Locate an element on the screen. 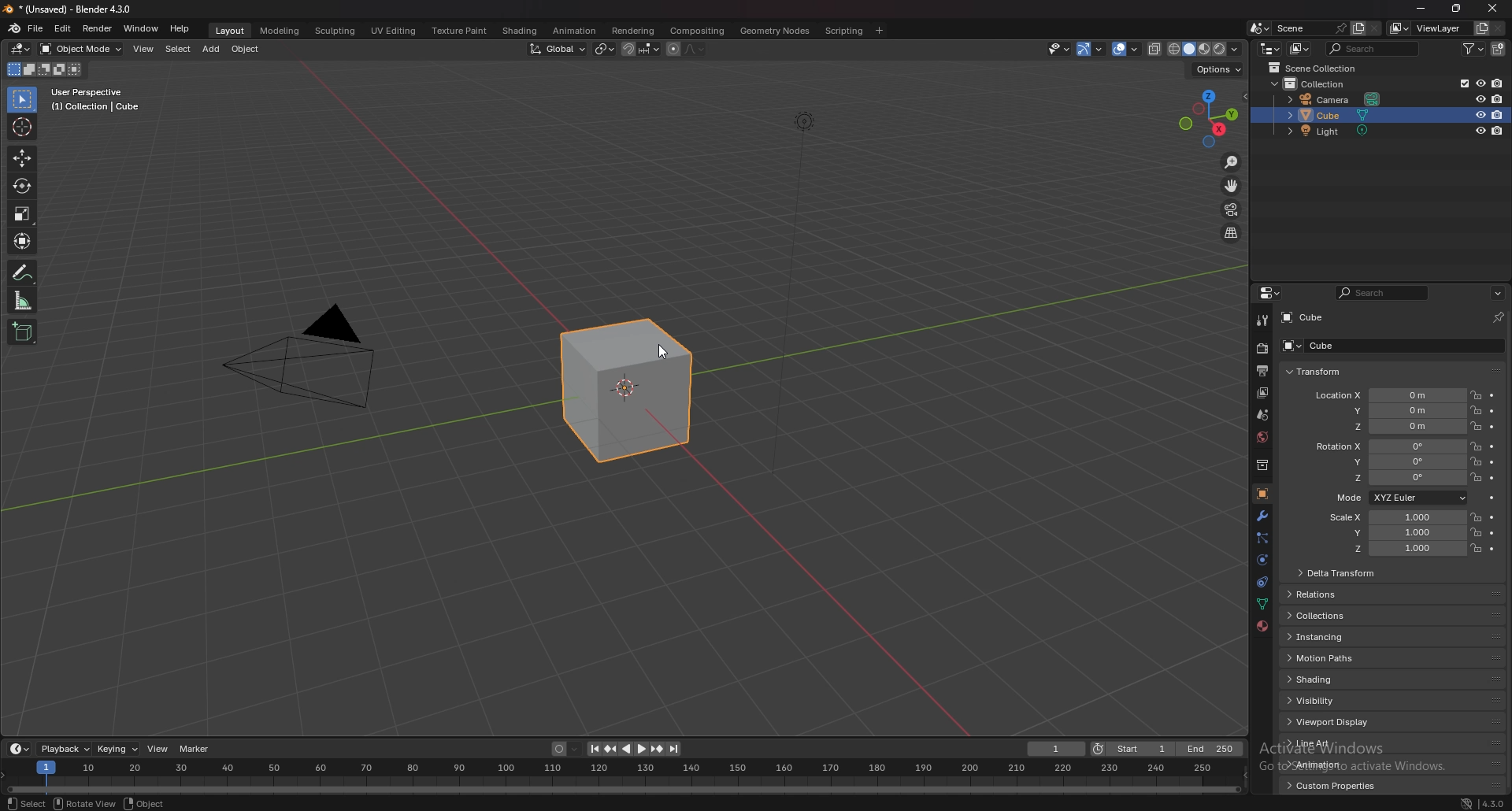 Image resolution: width=1512 pixels, height=811 pixels. transform is located at coordinates (1316, 371).